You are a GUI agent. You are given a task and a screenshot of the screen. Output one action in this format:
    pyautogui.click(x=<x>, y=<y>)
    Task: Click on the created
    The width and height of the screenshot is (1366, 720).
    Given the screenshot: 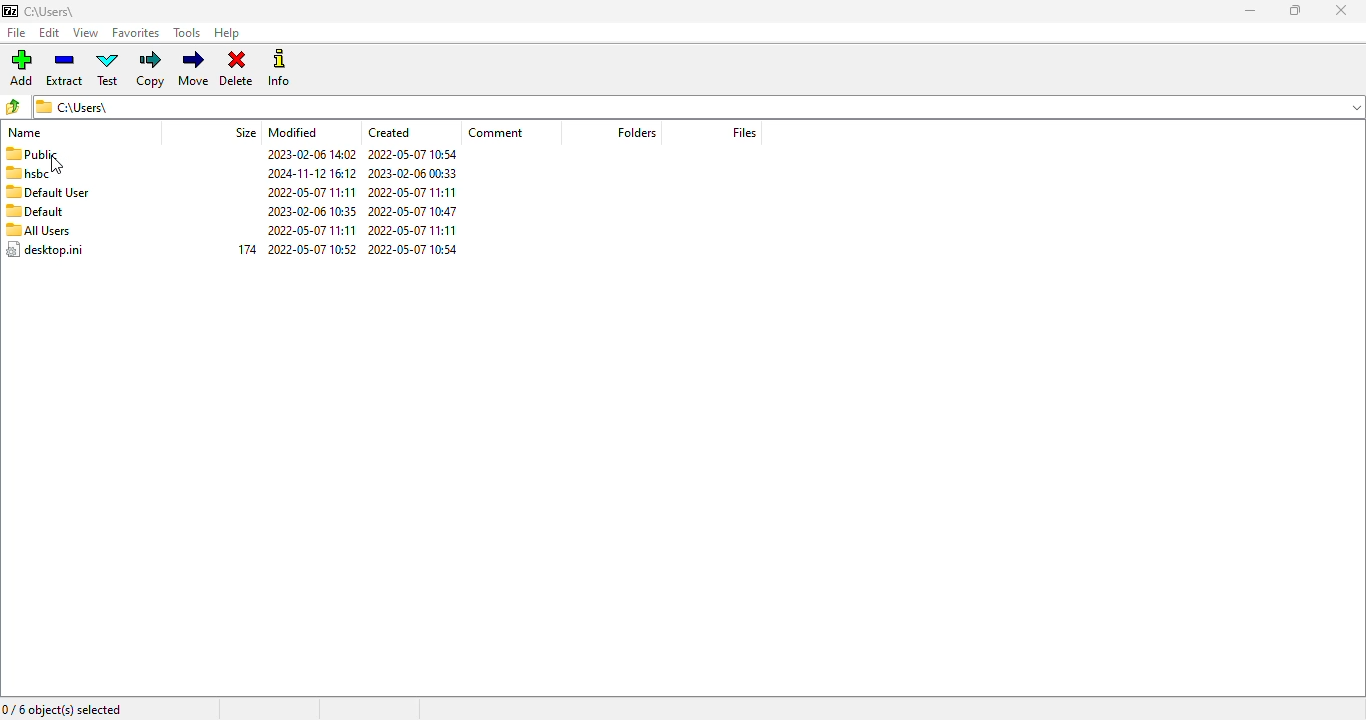 What is the action you would take?
    pyautogui.click(x=388, y=132)
    